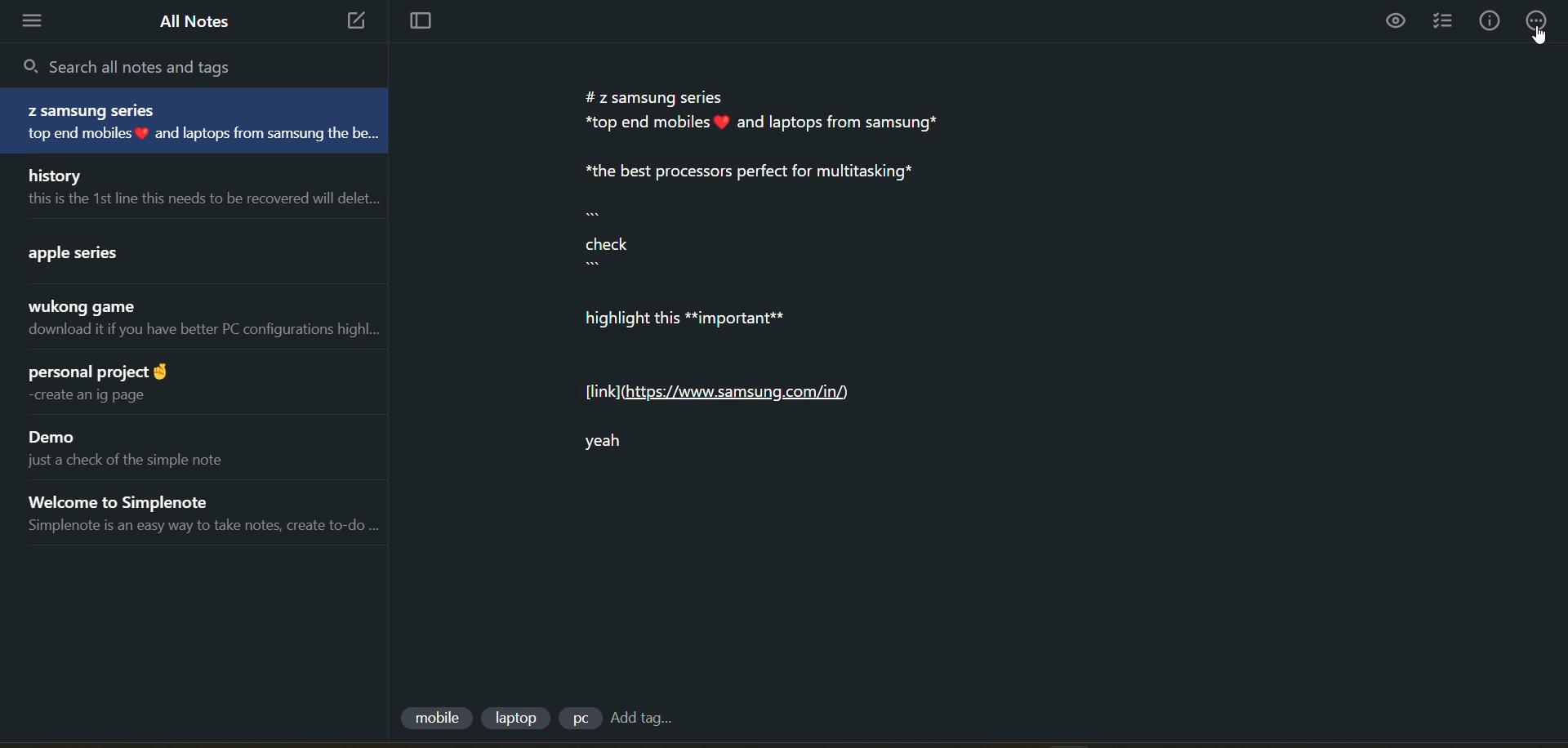 Image resolution: width=1568 pixels, height=748 pixels. I want to click on cursor, so click(1539, 37).